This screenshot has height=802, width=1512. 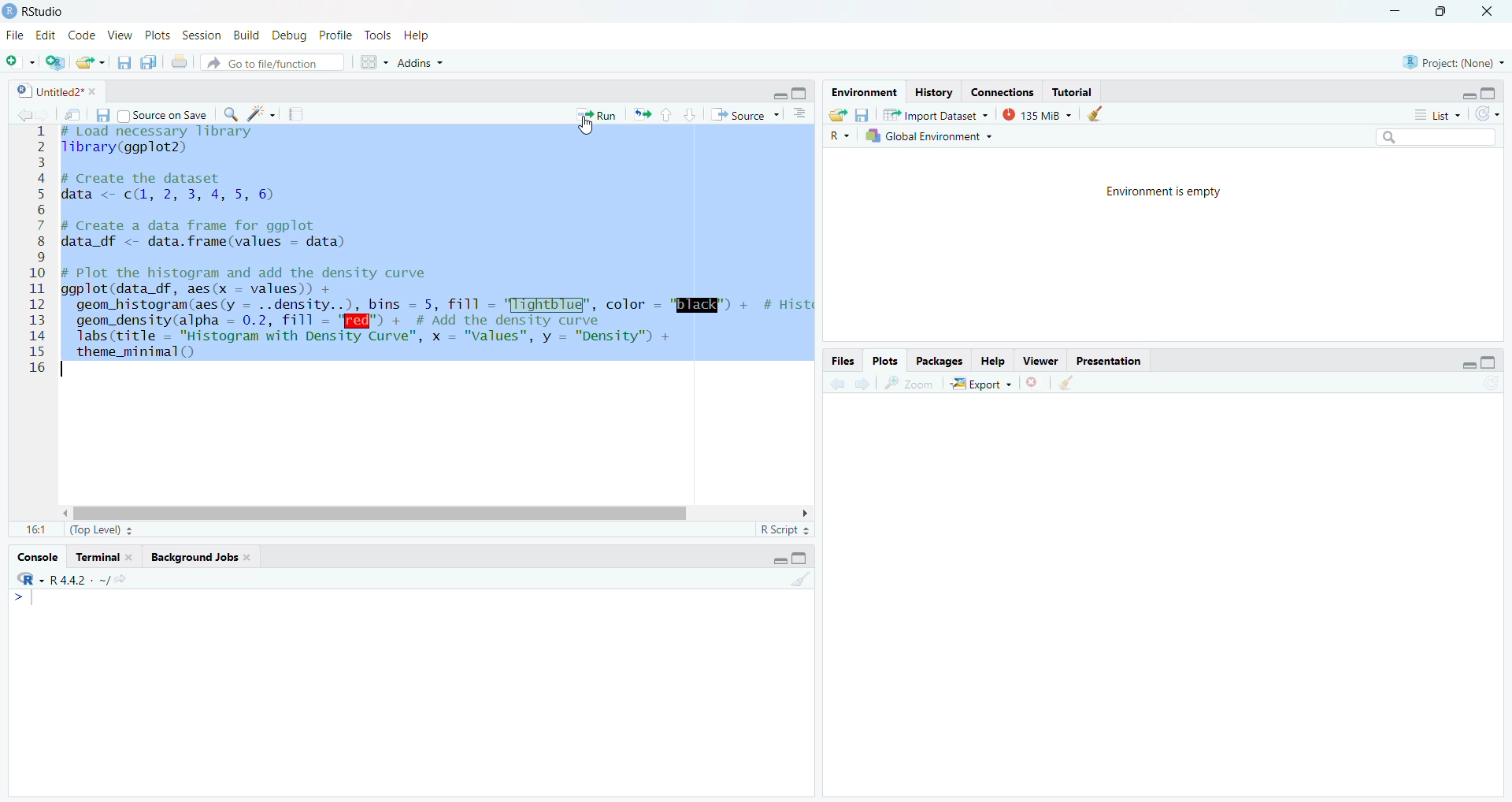 I want to click on 1:1, so click(x=39, y=529).